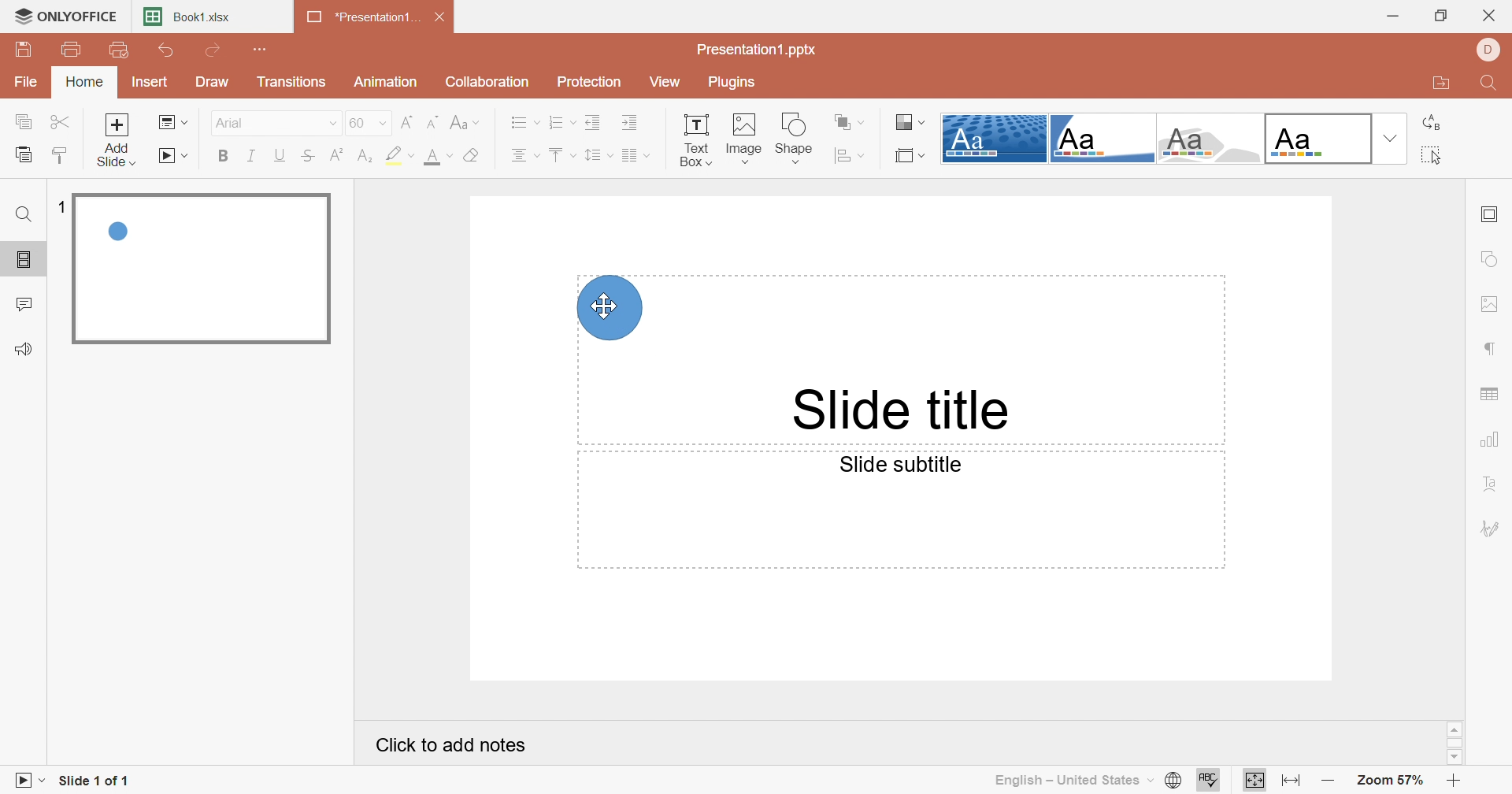 The height and width of the screenshot is (794, 1512). I want to click on Redo, so click(215, 50).